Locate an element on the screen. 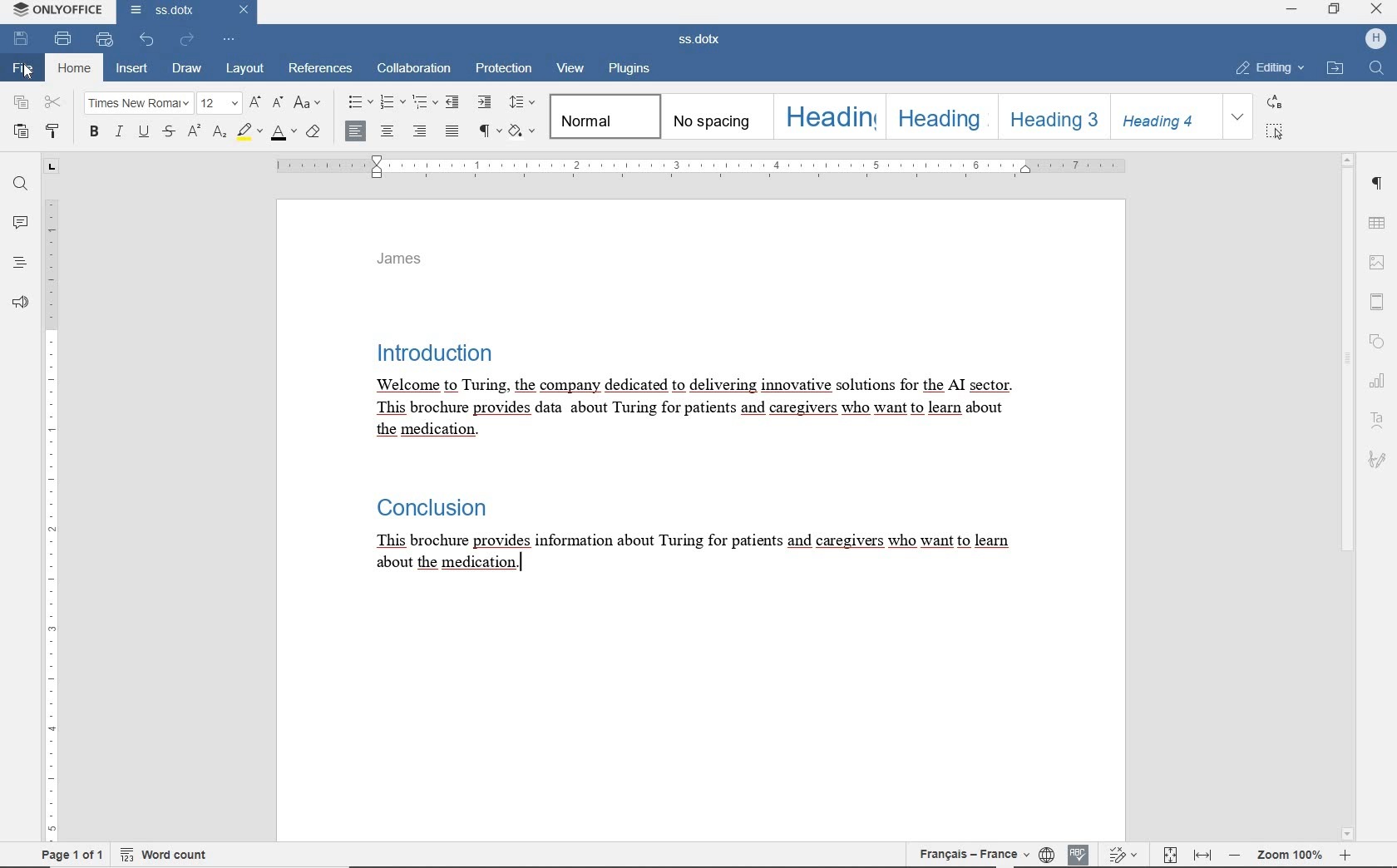 This screenshot has height=868, width=1397. PROTECTION is located at coordinates (505, 67).